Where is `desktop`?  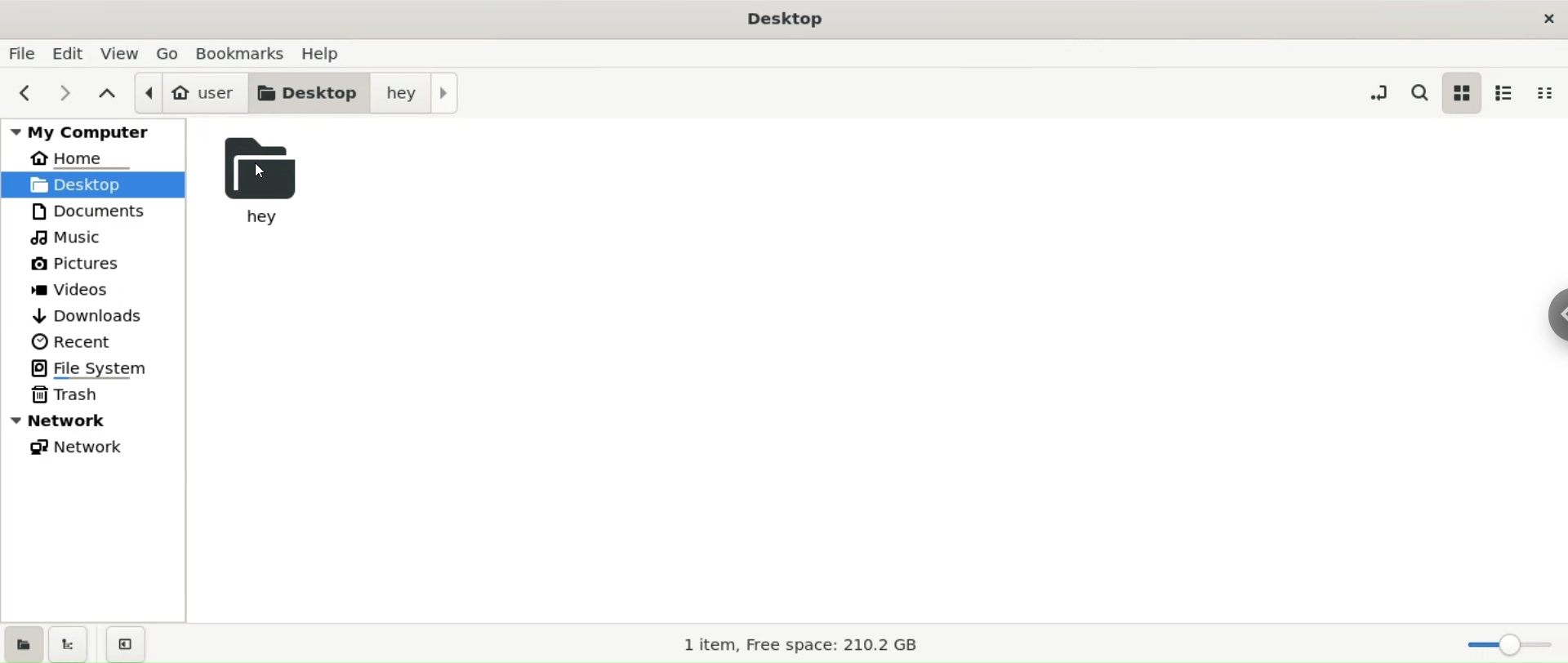 desktop is located at coordinates (93, 187).